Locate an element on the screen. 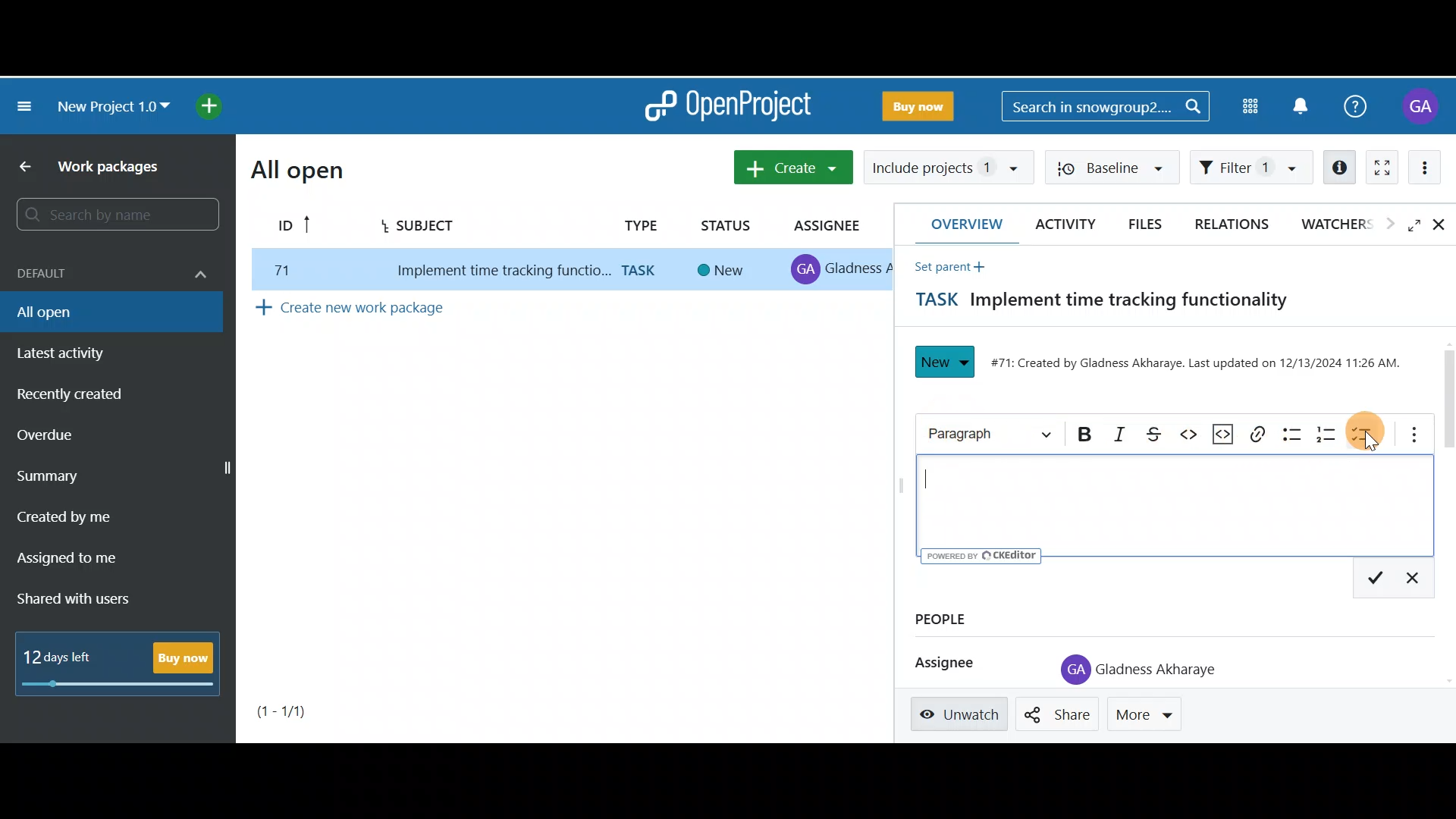 The height and width of the screenshot is (819, 1456). Account name is located at coordinates (1420, 107).